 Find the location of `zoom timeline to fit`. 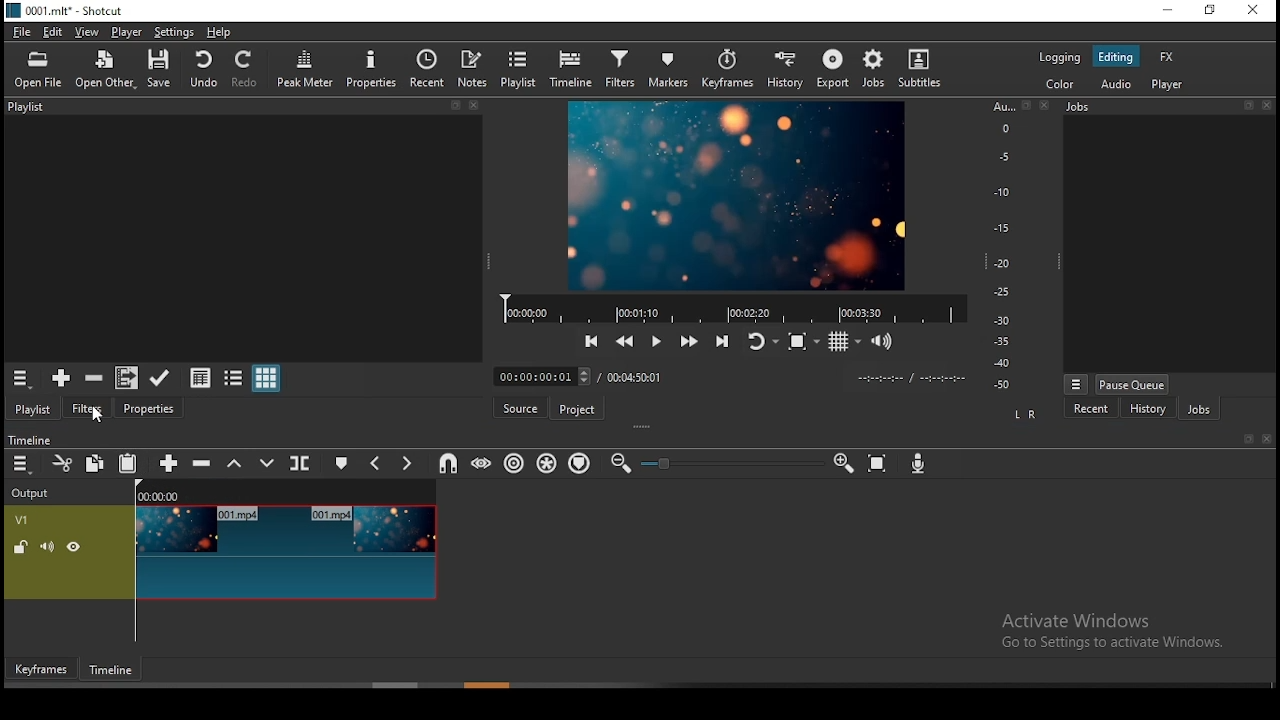

zoom timeline to fit is located at coordinates (878, 464).